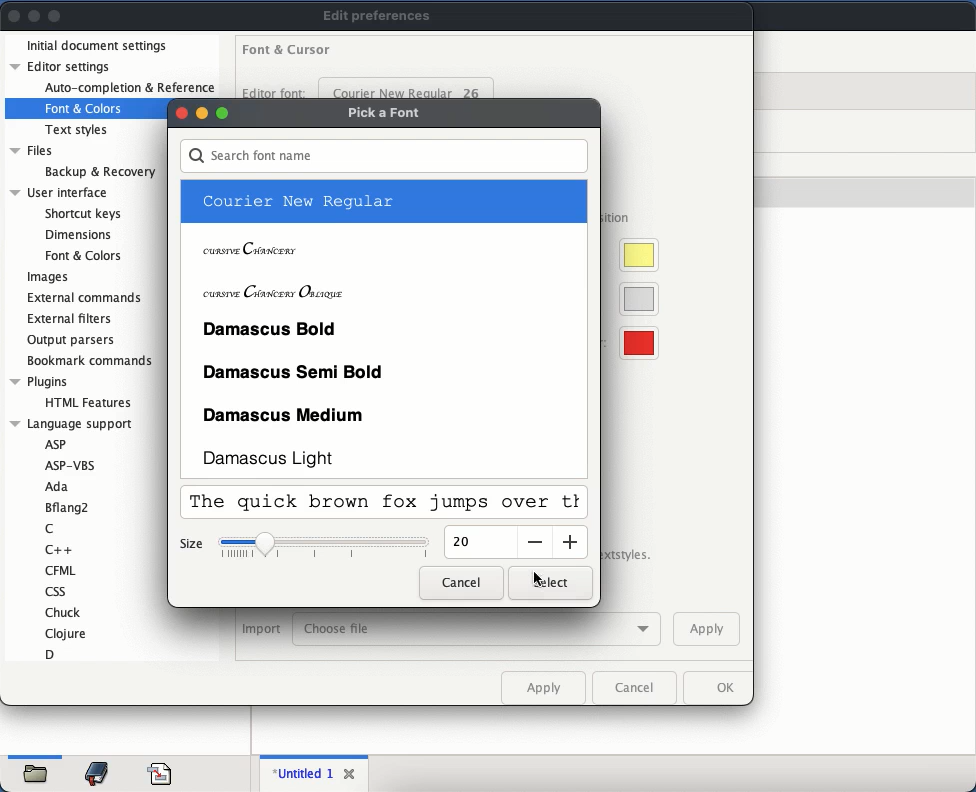  What do you see at coordinates (99, 772) in the screenshot?
I see `bookmark` at bounding box center [99, 772].